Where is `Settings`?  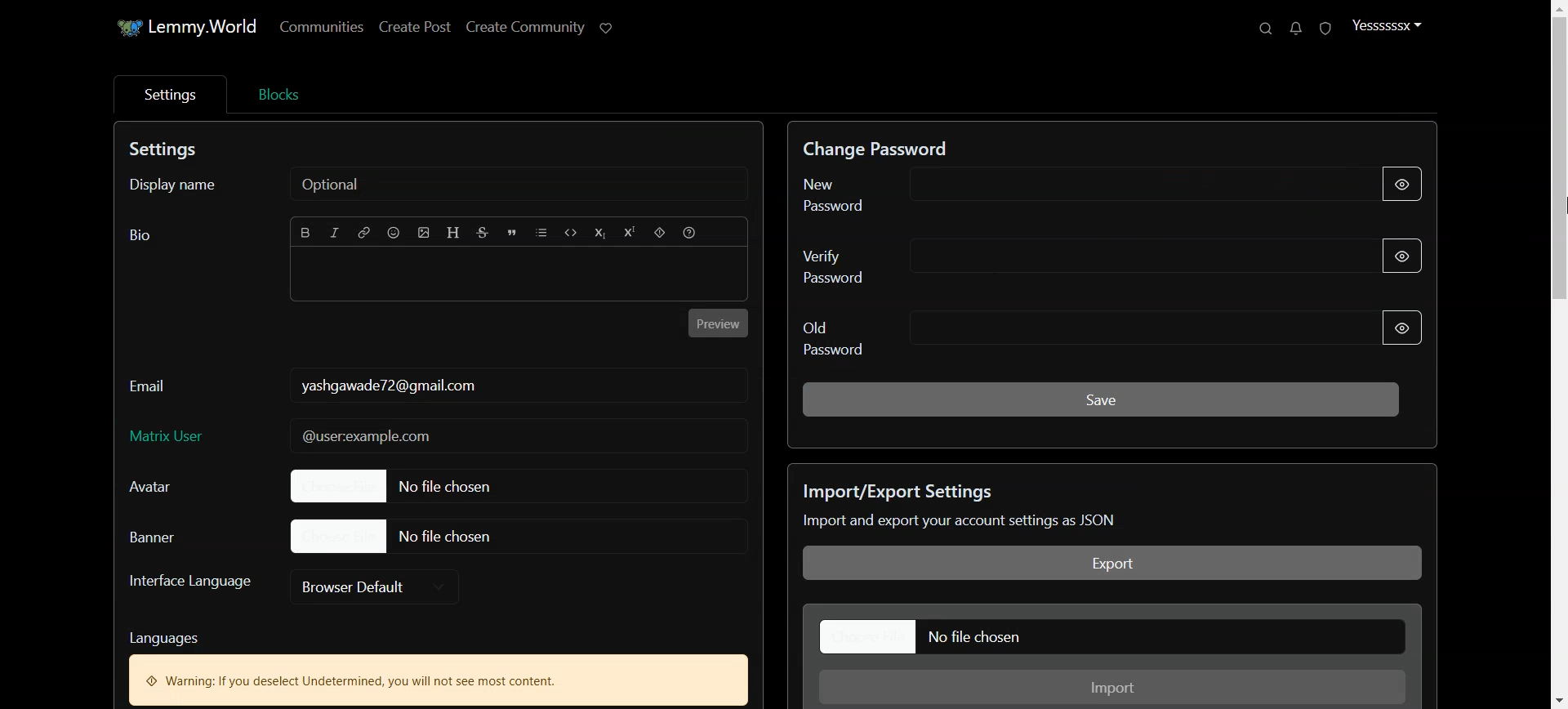 Settings is located at coordinates (169, 96).